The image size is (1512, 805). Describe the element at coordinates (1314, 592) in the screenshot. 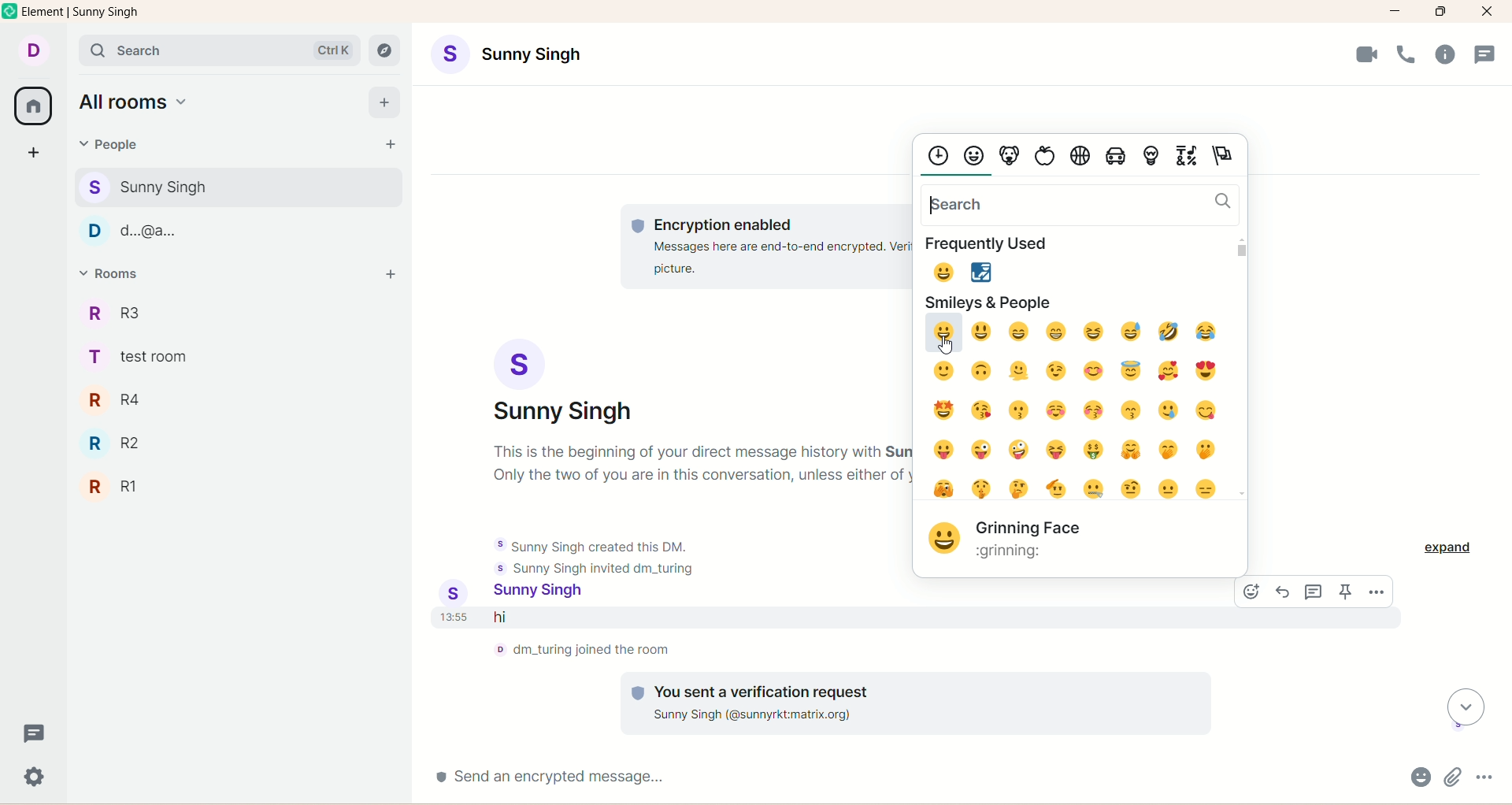

I see `threads` at that location.